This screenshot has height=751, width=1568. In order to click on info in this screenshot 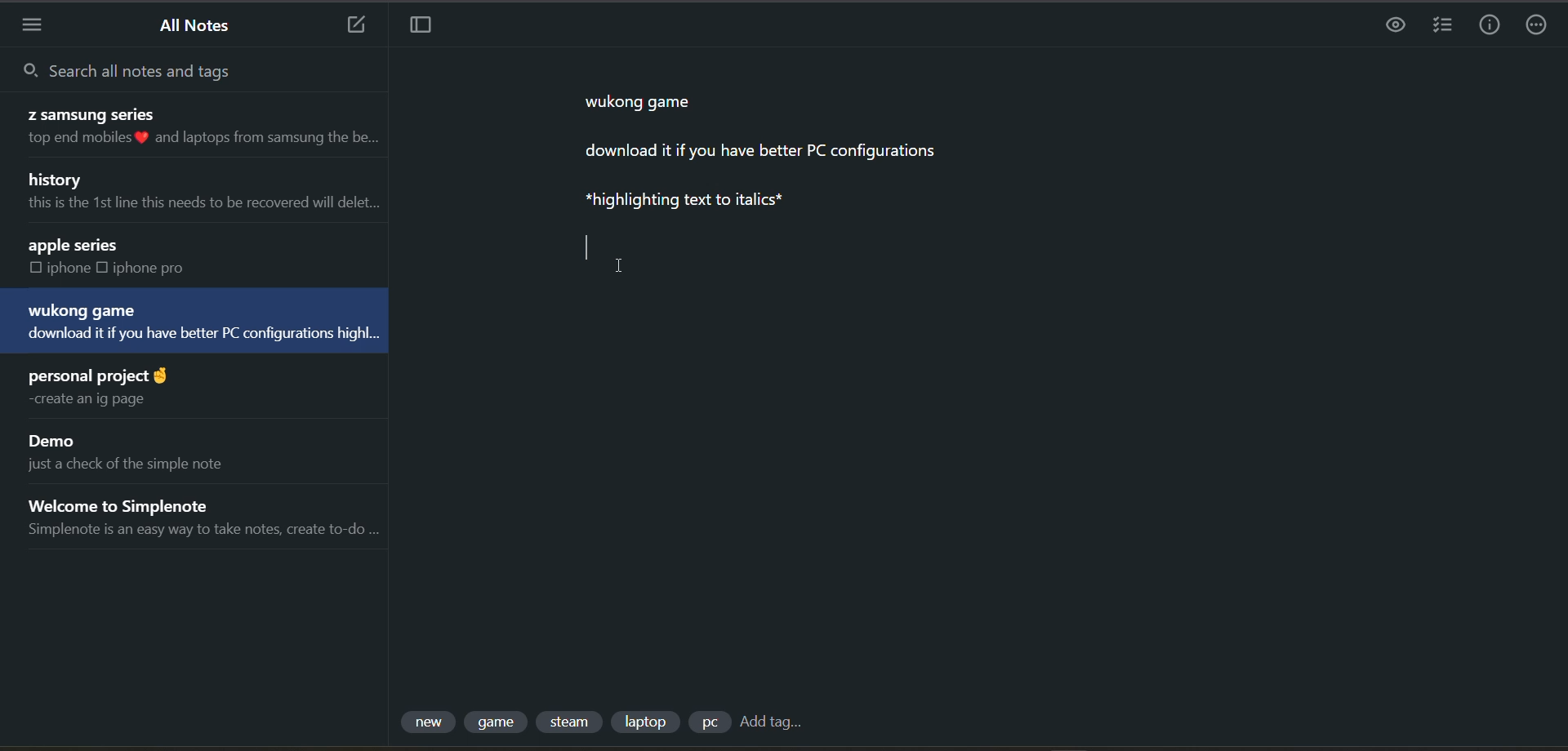, I will do `click(1484, 24)`.